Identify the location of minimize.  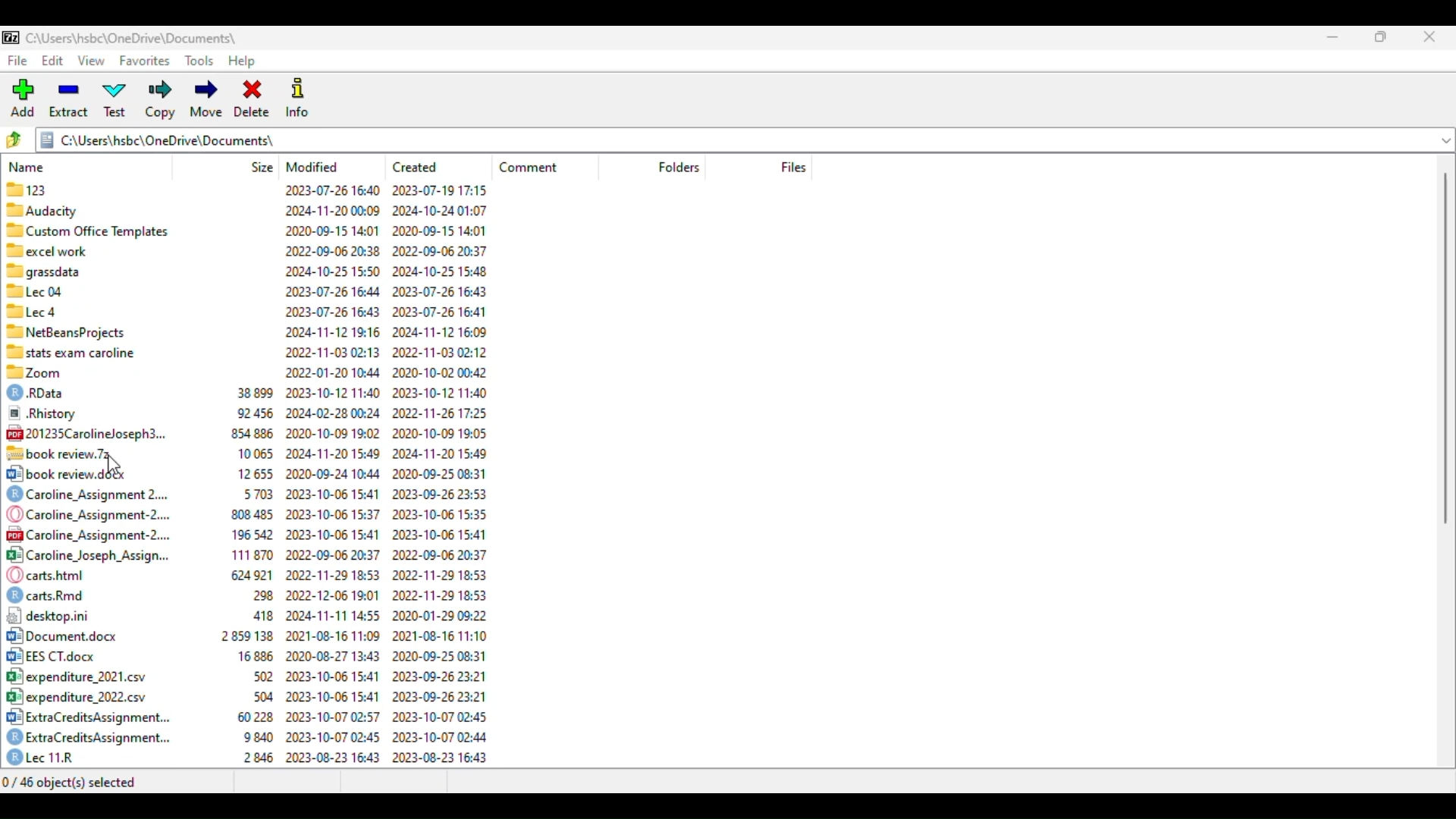
(1334, 38).